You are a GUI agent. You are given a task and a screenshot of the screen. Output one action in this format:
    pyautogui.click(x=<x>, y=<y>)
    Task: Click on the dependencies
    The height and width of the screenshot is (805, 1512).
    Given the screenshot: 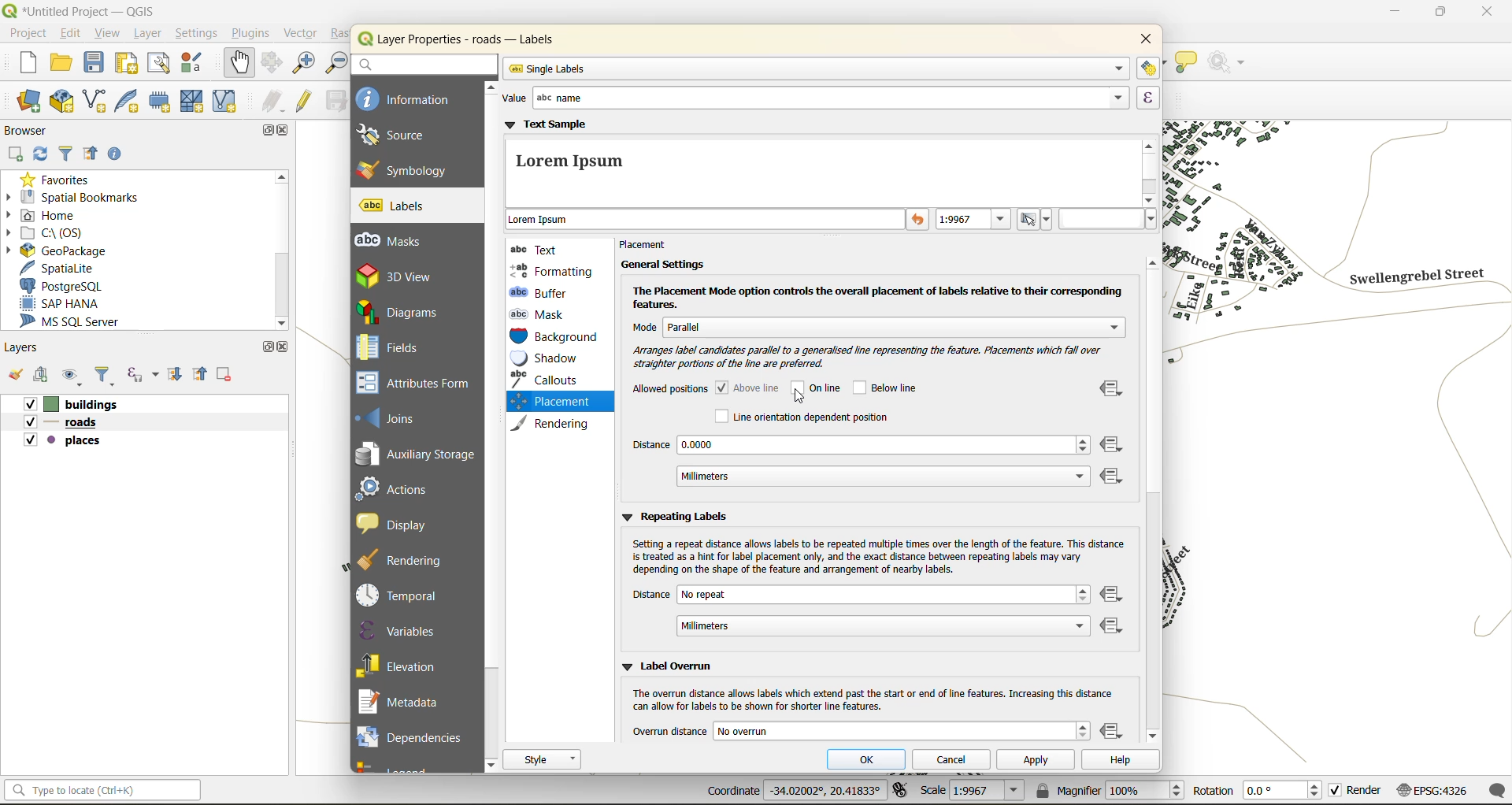 What is the action you would take?
    pyautogui.click(x=410, y=735)
    